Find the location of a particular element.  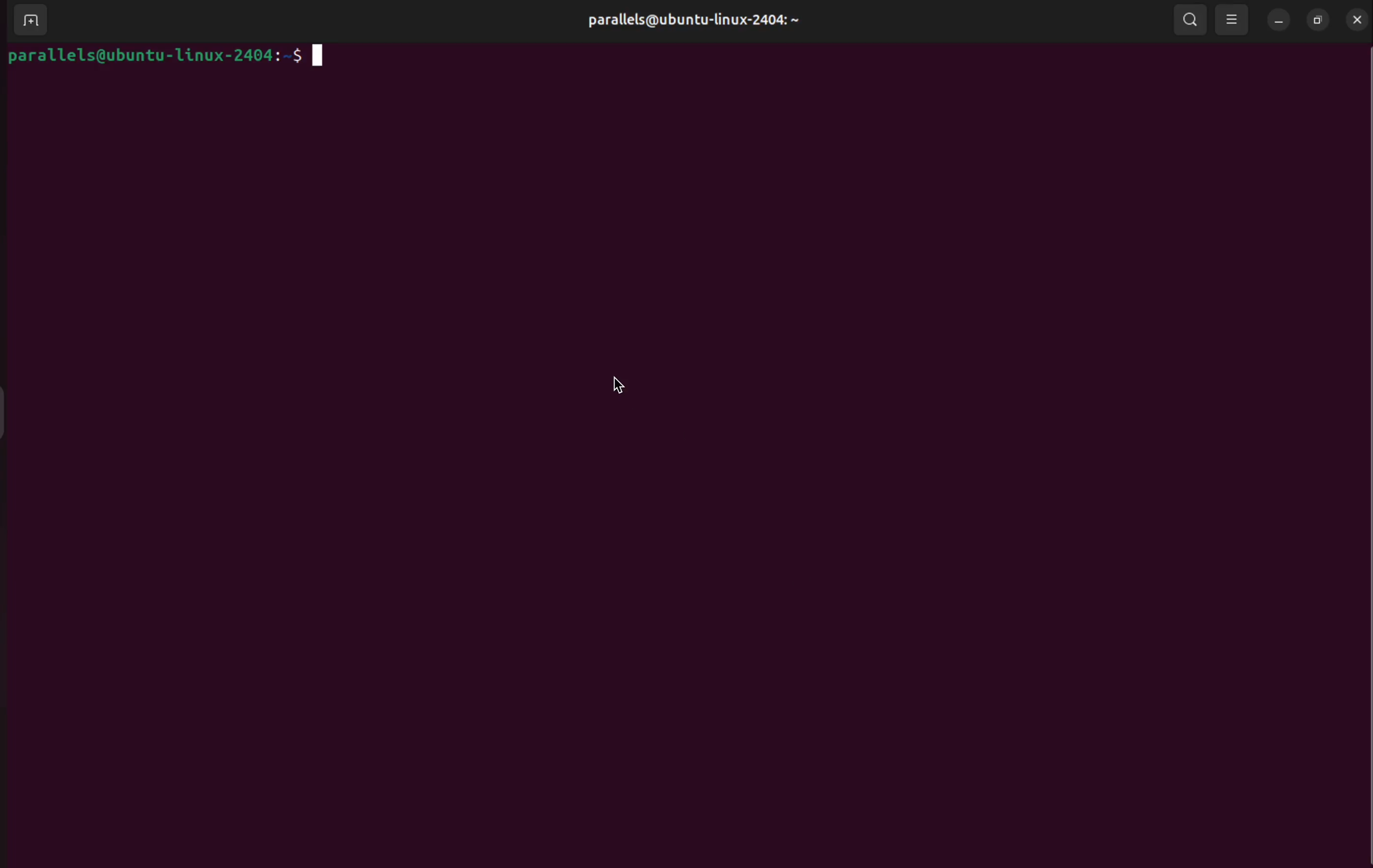

cursor is located at coordinates (618, 385).